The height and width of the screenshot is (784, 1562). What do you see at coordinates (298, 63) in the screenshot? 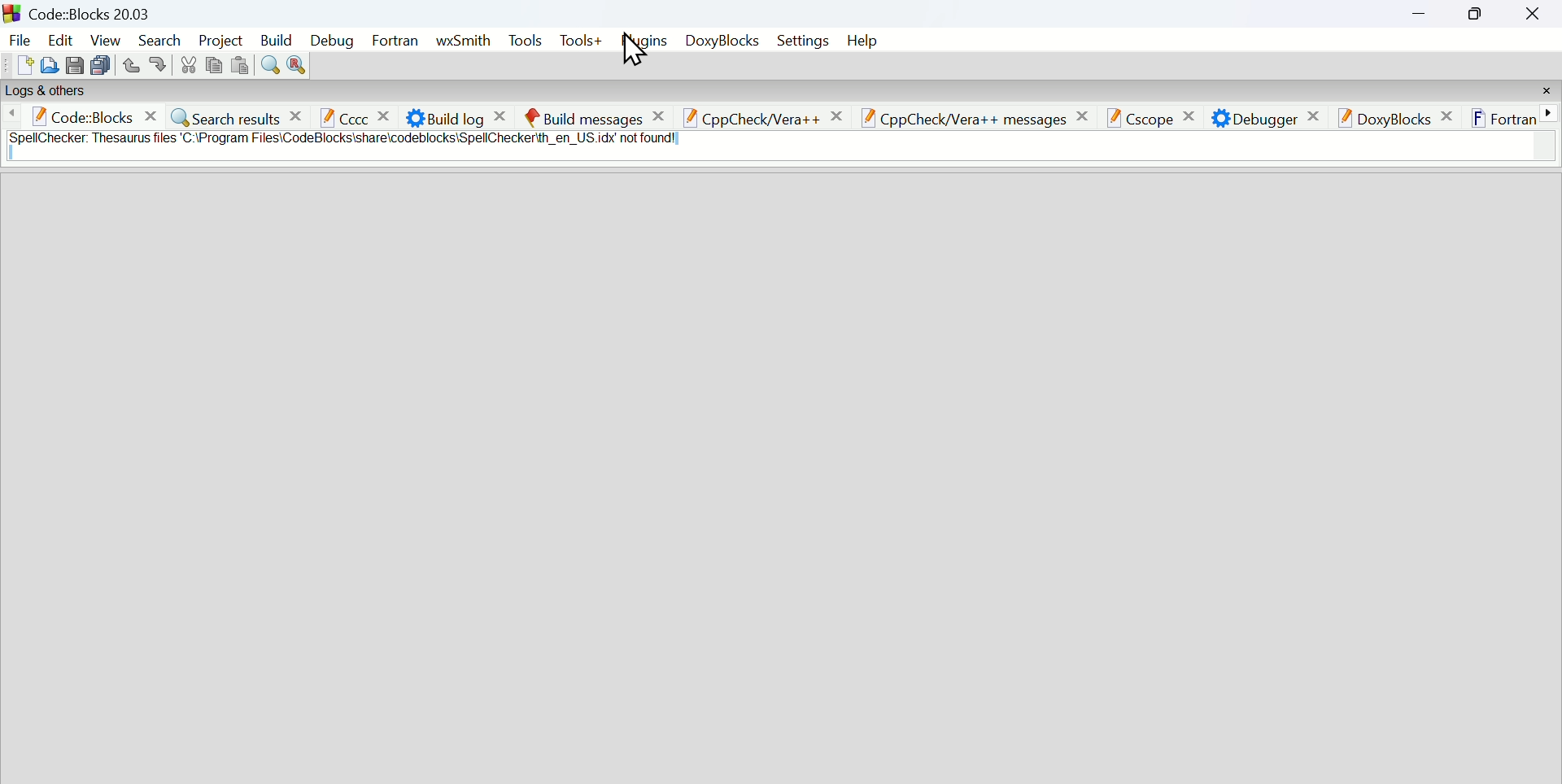
I see `Research` at bounding box center [298, 63].